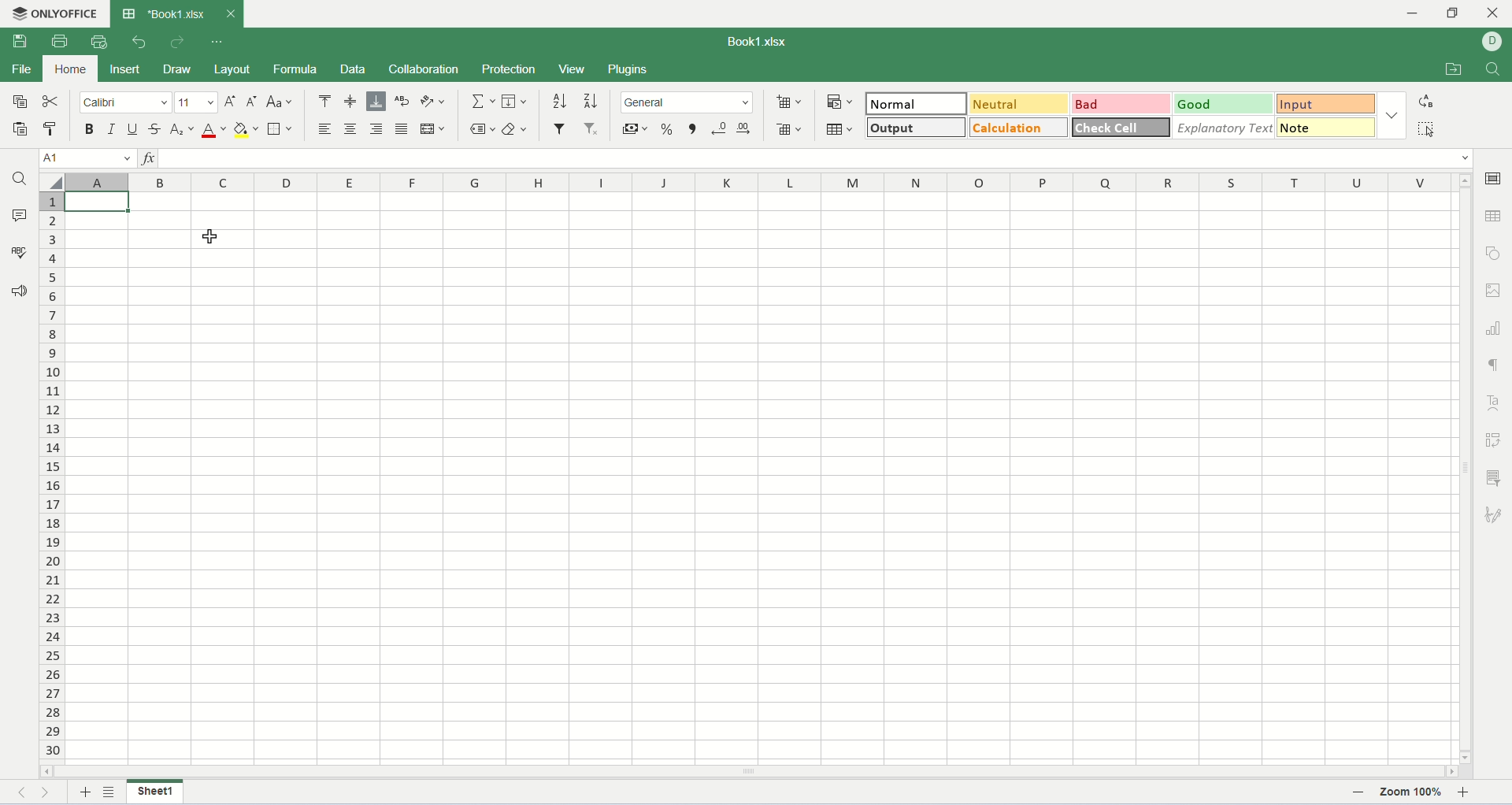  I want to click on data, so click(353, 71).